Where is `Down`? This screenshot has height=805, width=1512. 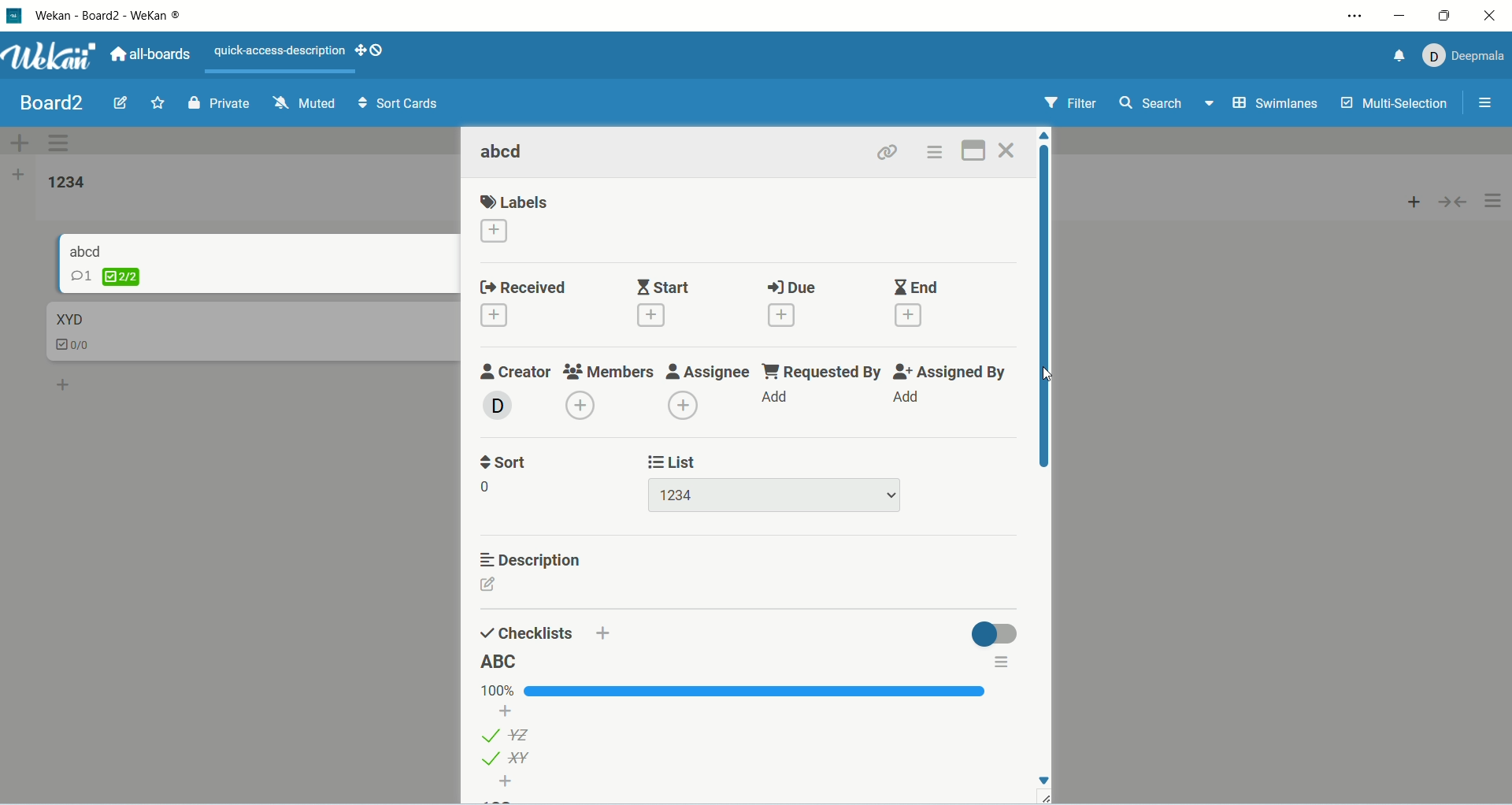
Down is located at coordinates (1043, 781).